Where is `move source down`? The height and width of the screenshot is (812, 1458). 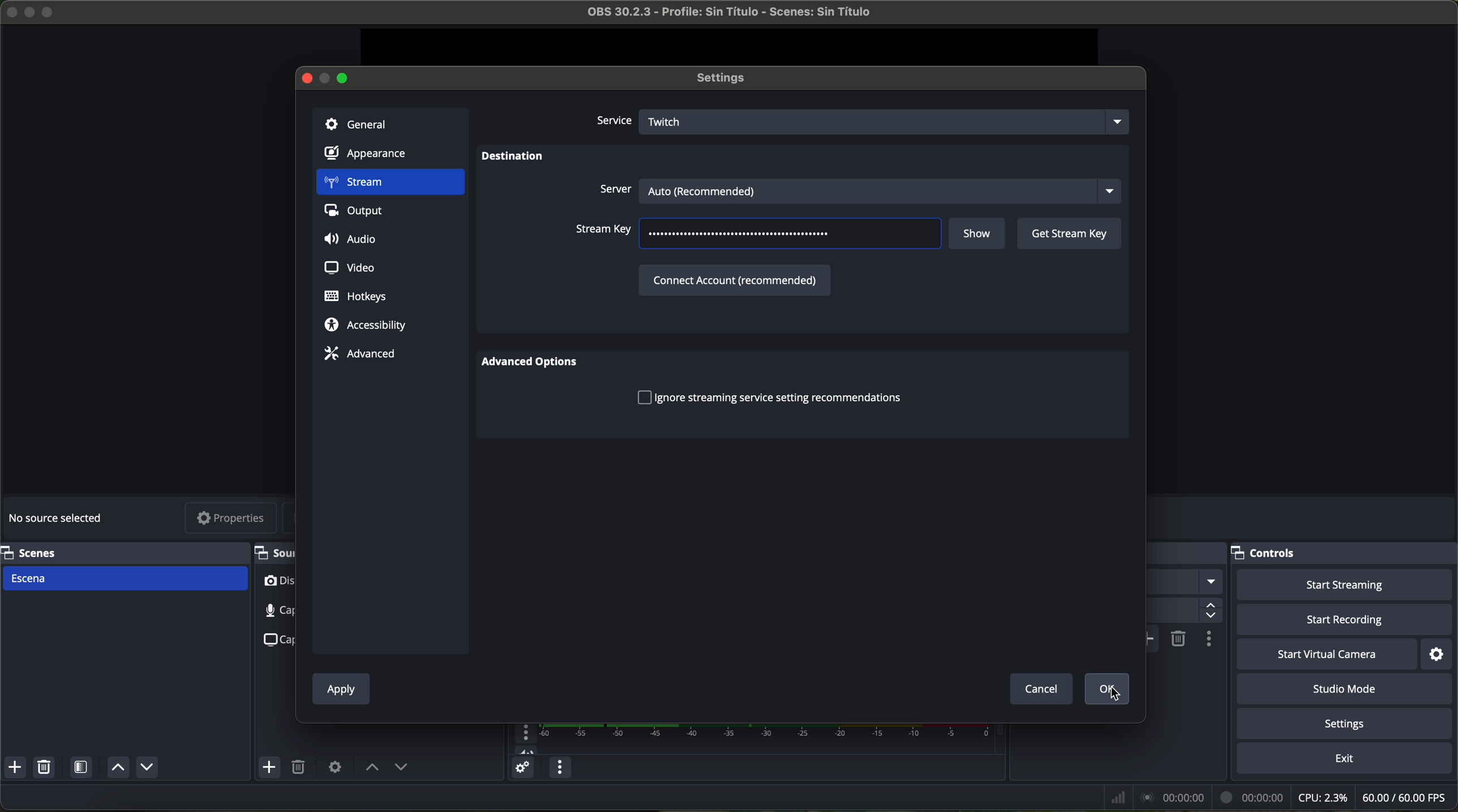
move source down is located at coordinates (147, 767).